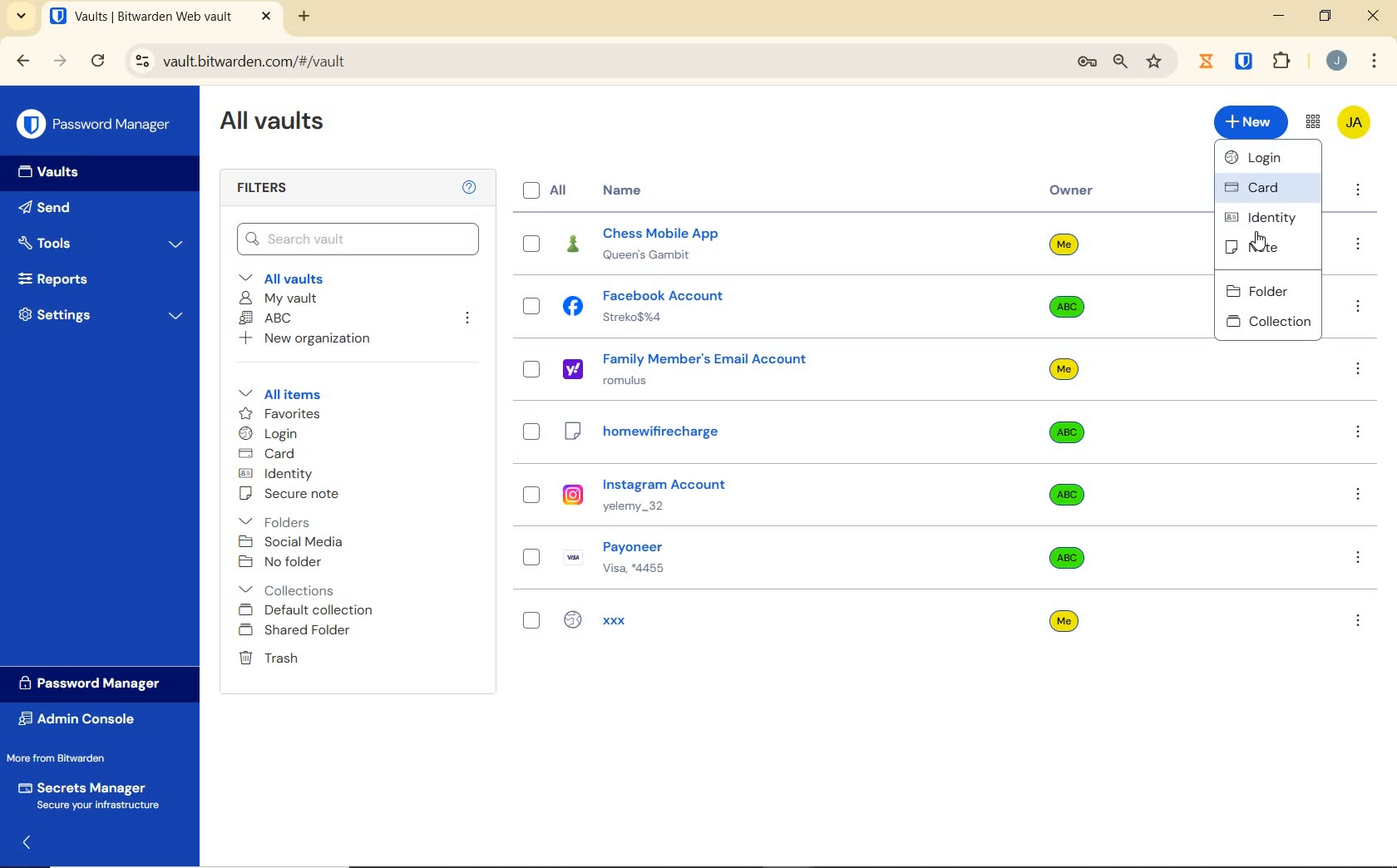  Describe the element at coordinates (304, 496) in the screenshot. I see `secure note` at that location.